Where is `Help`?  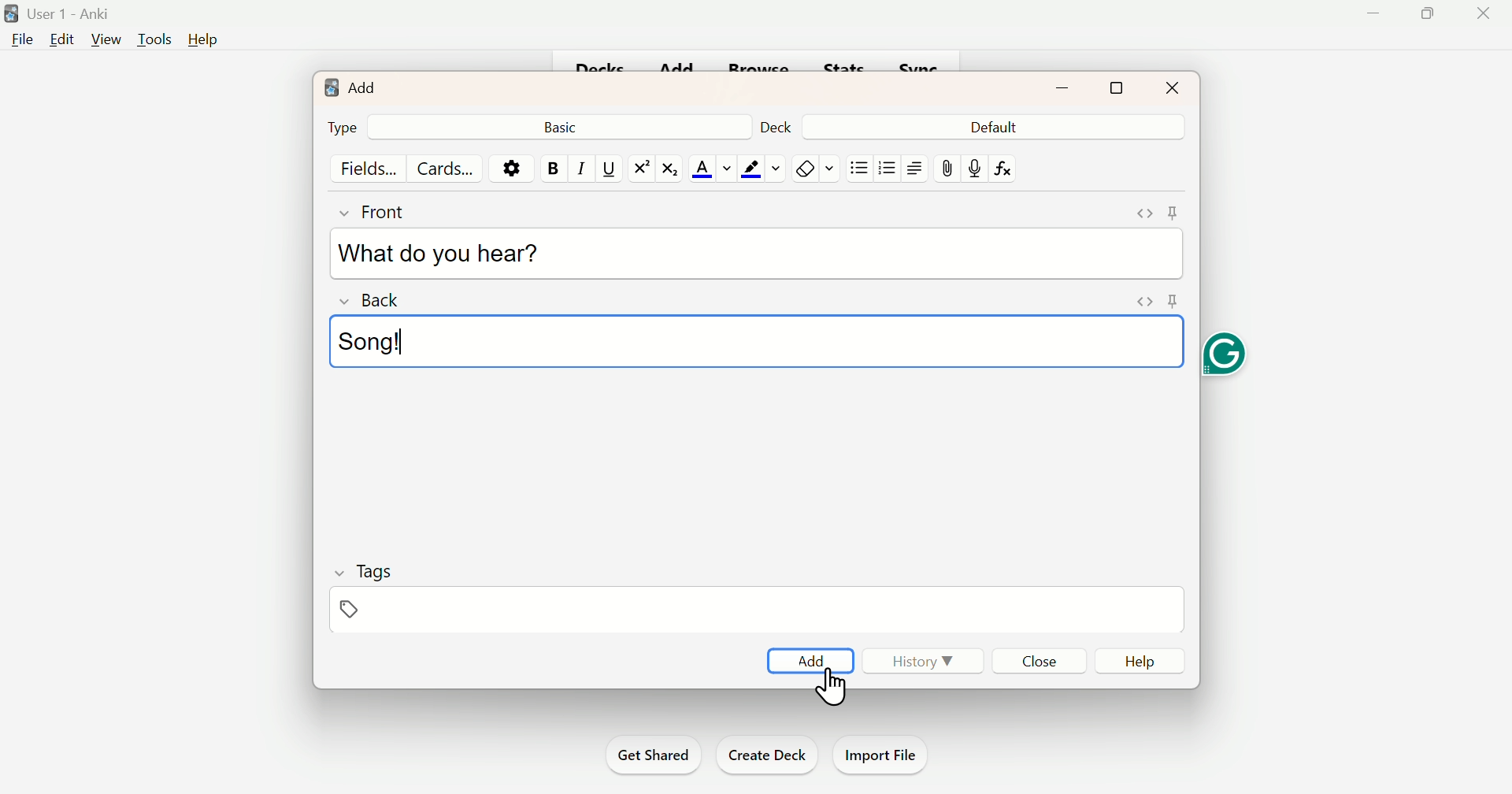 Help is located at coordinates (1143, 659).